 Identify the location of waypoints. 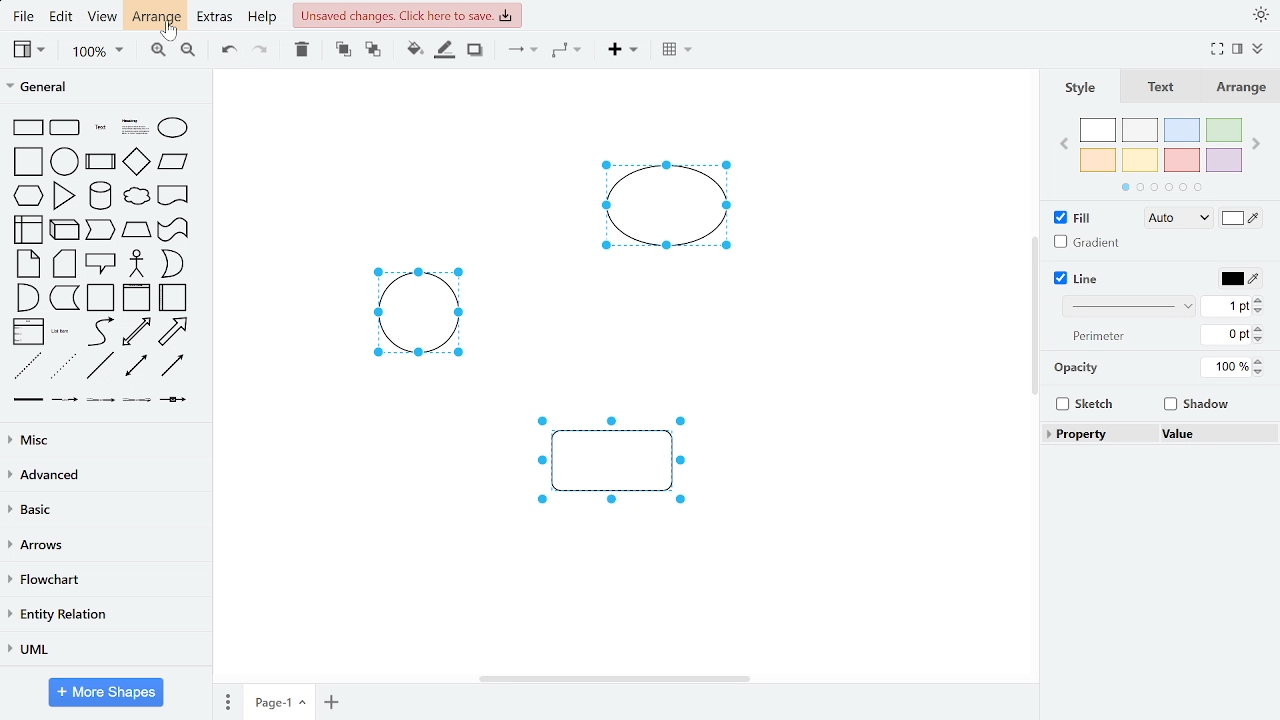
(567, 52).